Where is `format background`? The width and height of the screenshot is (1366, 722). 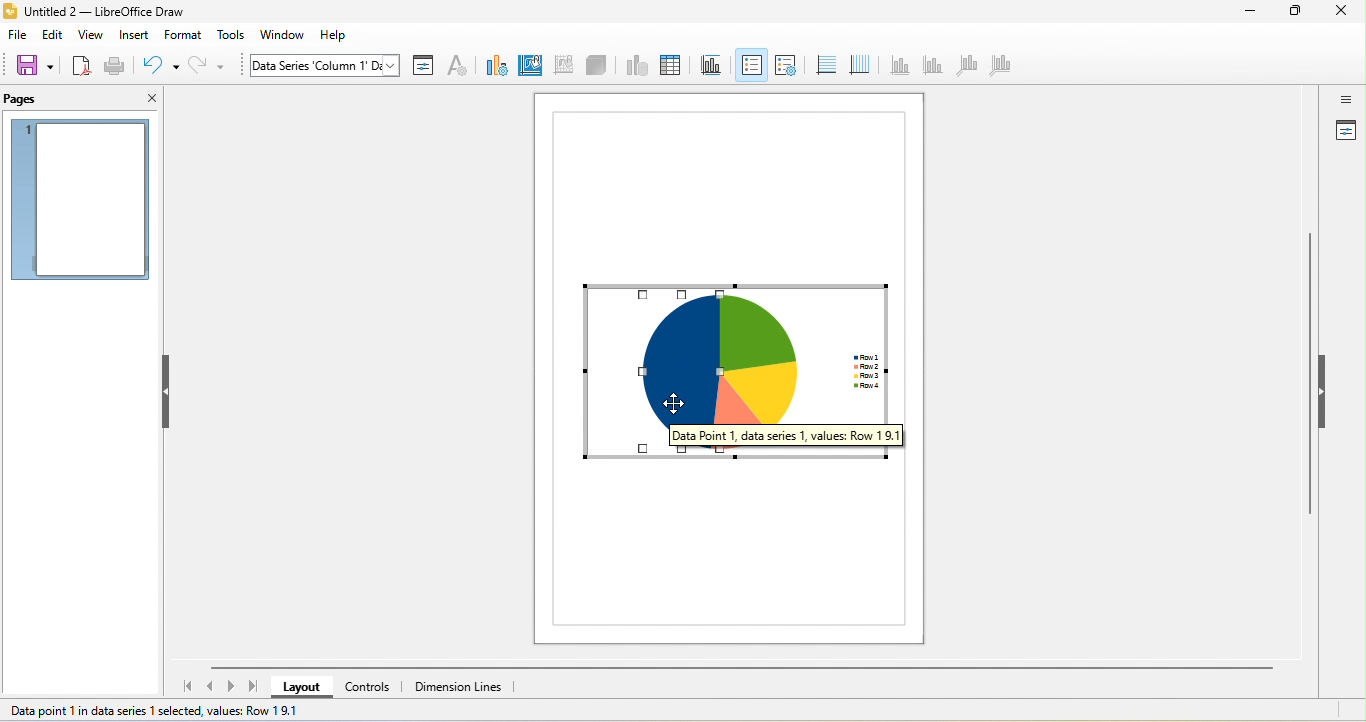
format background is located at coordinates (529, 65).